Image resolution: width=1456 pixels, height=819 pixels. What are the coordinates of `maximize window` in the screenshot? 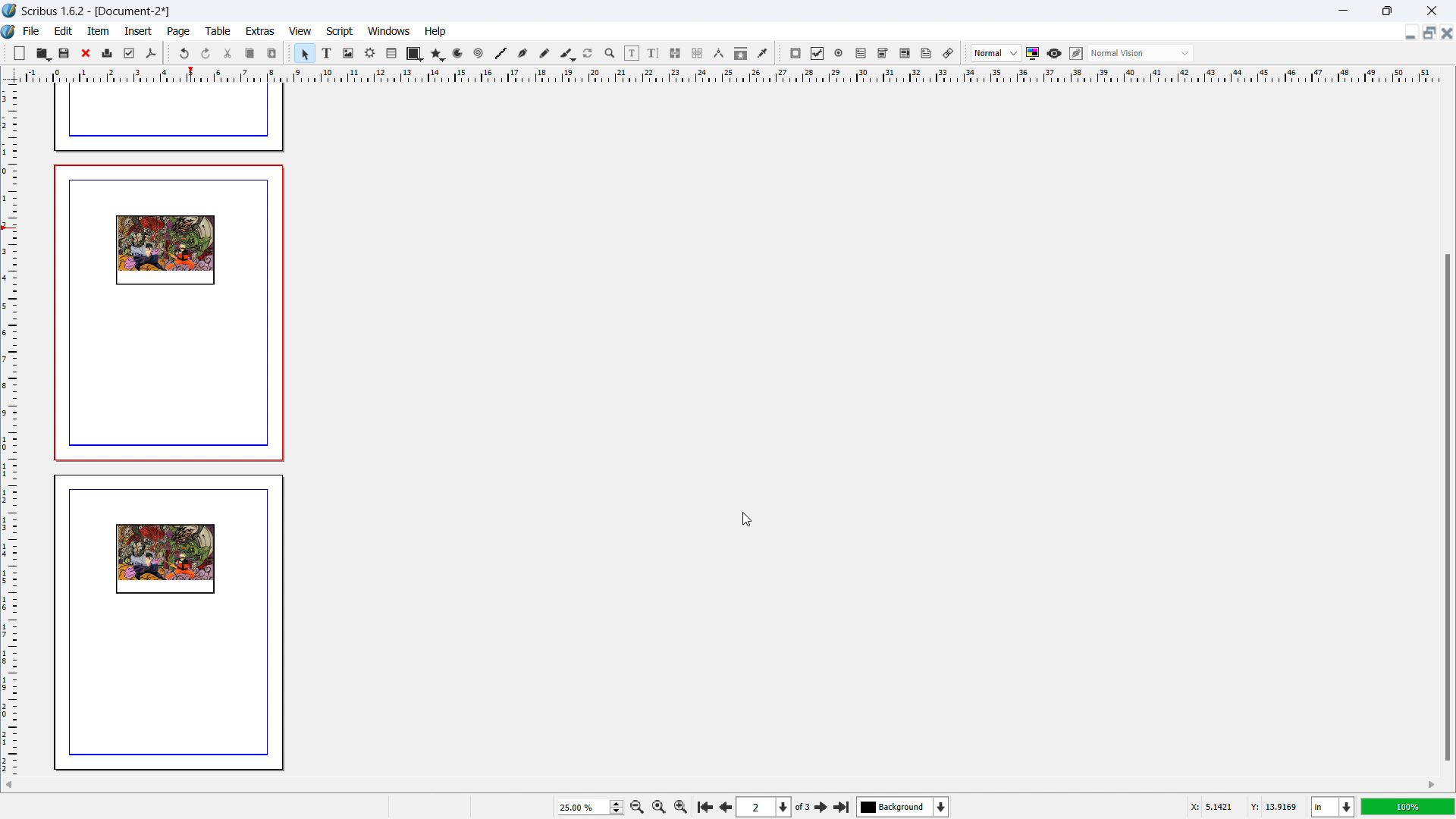 It's located at (1385, 11).